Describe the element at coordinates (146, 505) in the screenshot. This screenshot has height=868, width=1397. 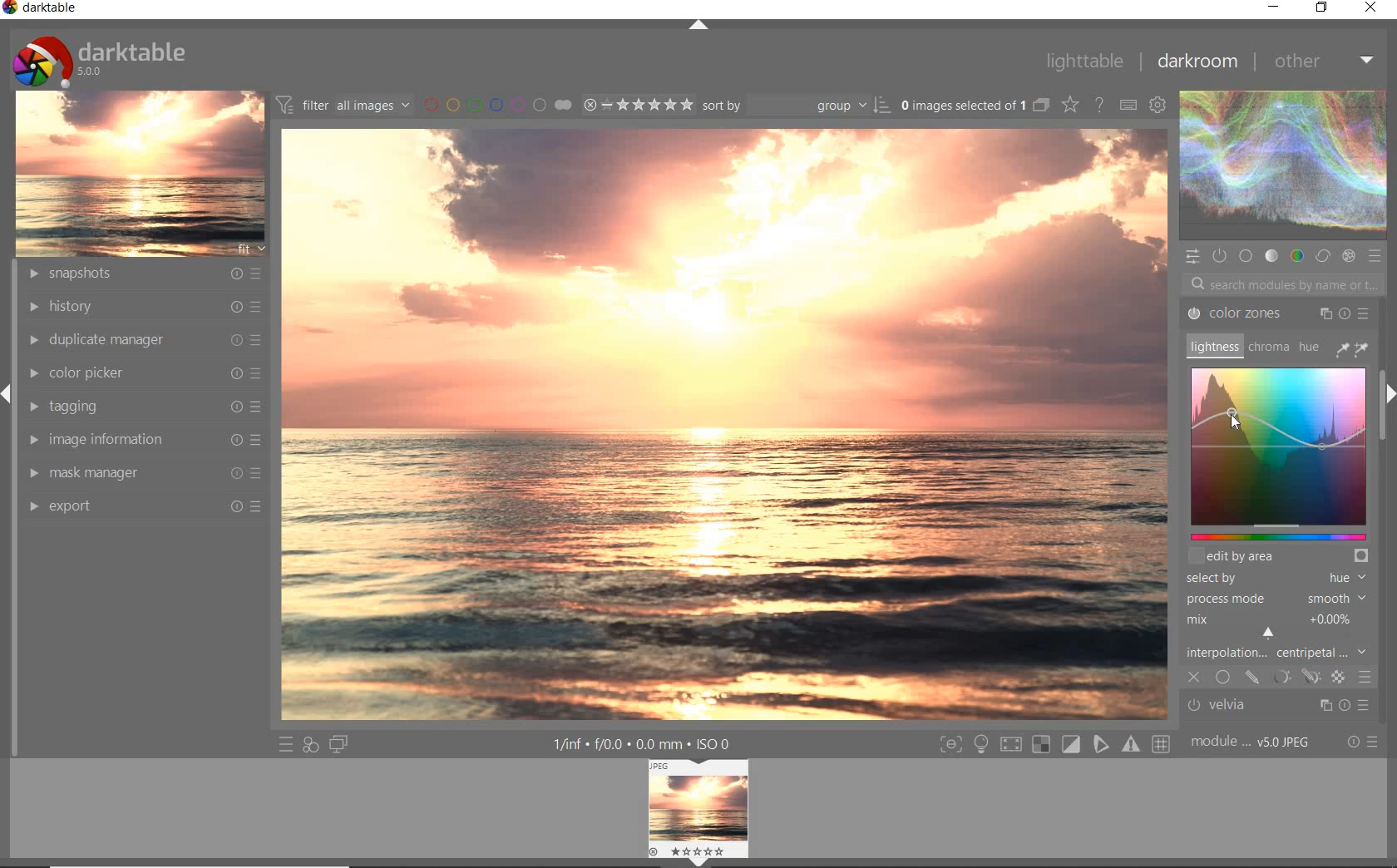
I see `EXPORT` at that location.